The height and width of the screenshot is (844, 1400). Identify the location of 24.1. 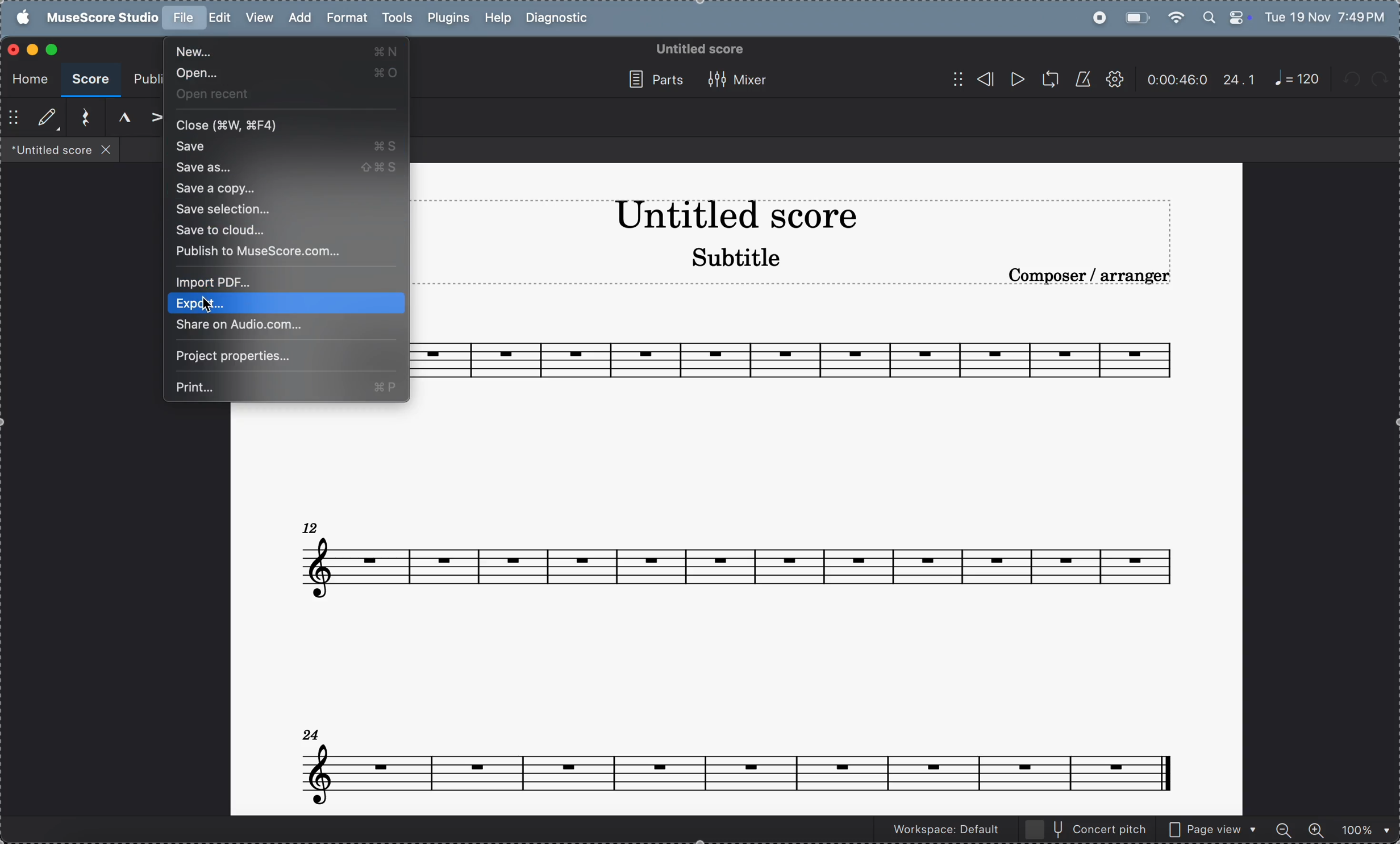
(1239, 80).